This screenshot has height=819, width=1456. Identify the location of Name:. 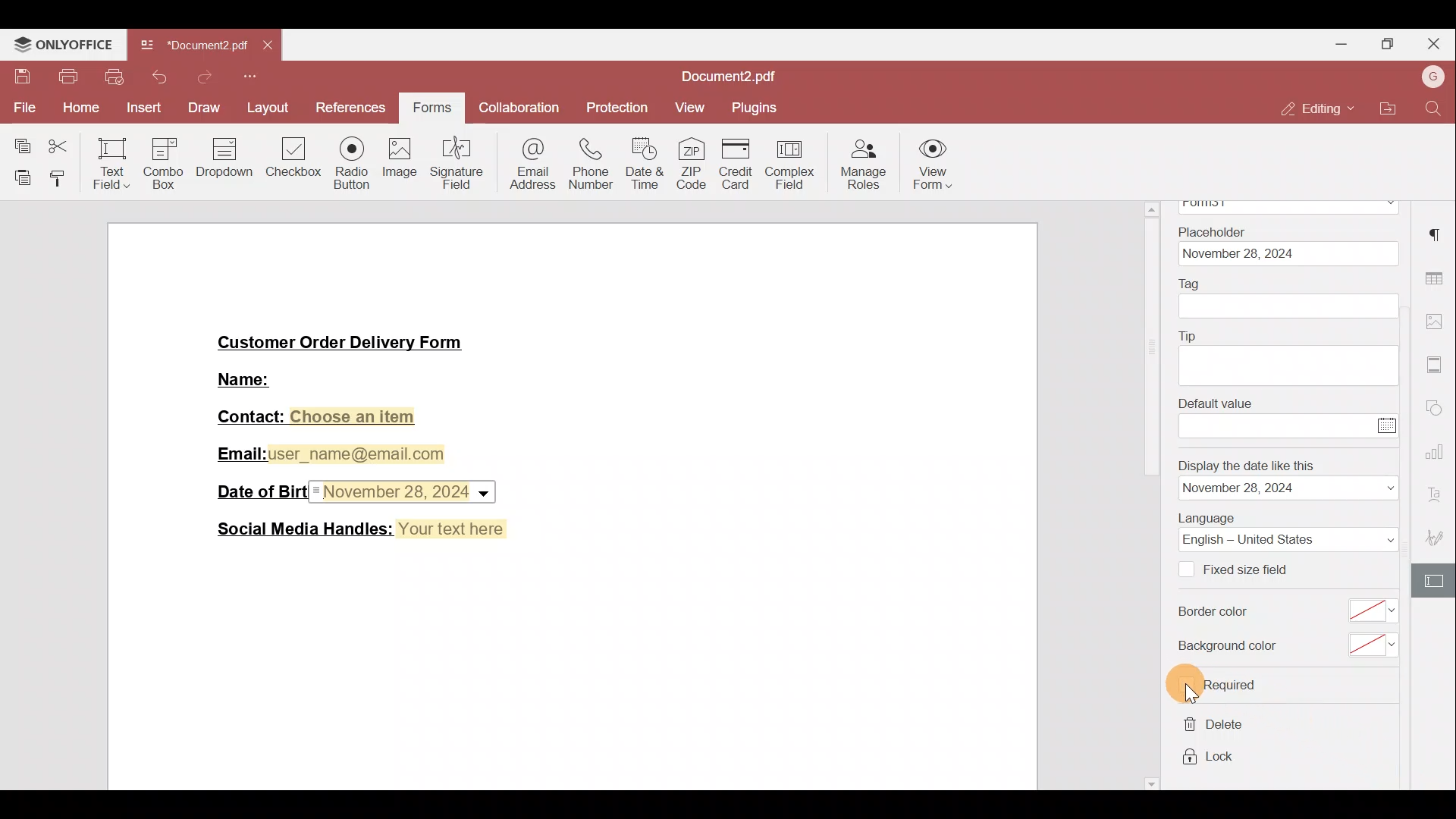
(247, 378).